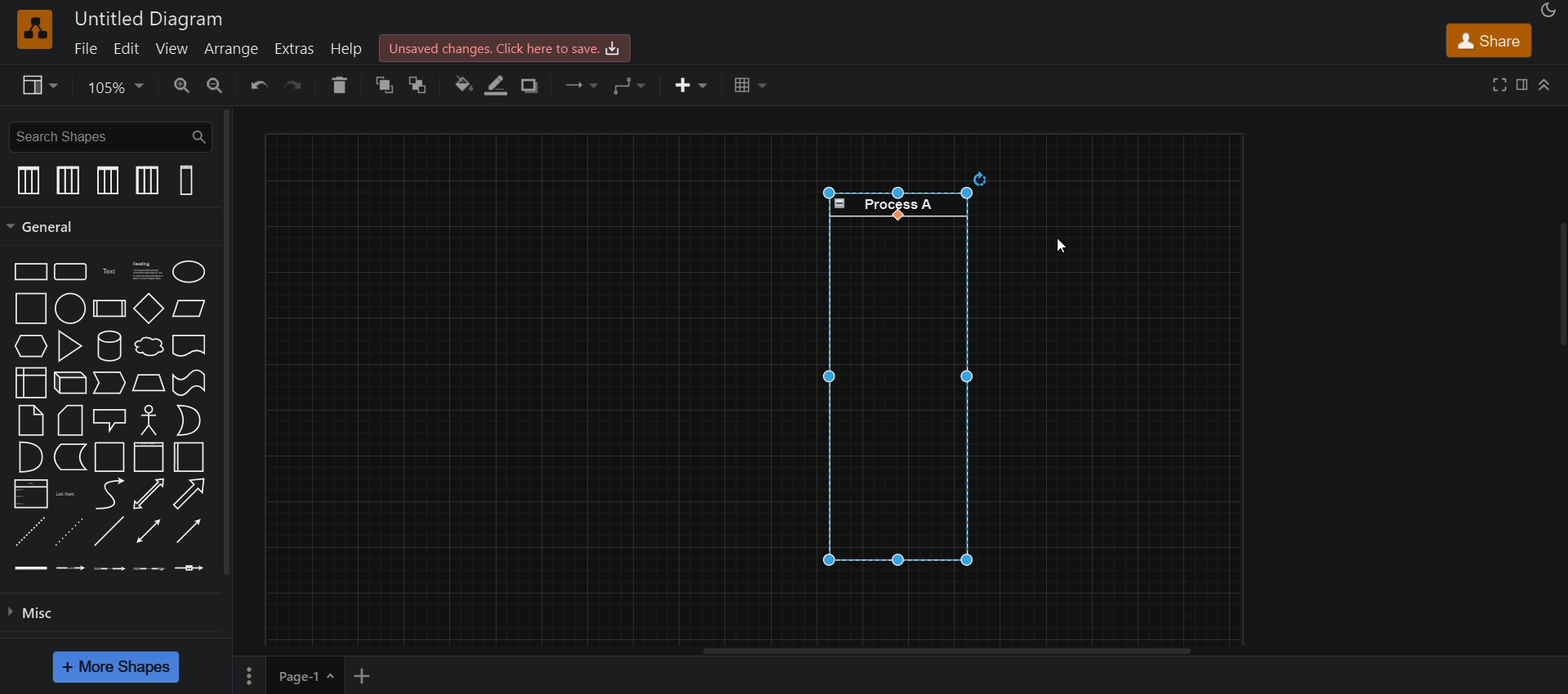  What do you see at coordinates (1547, 81) in the screenshot?
I see `collapase/expand ` at bounding box center [1547, 81].